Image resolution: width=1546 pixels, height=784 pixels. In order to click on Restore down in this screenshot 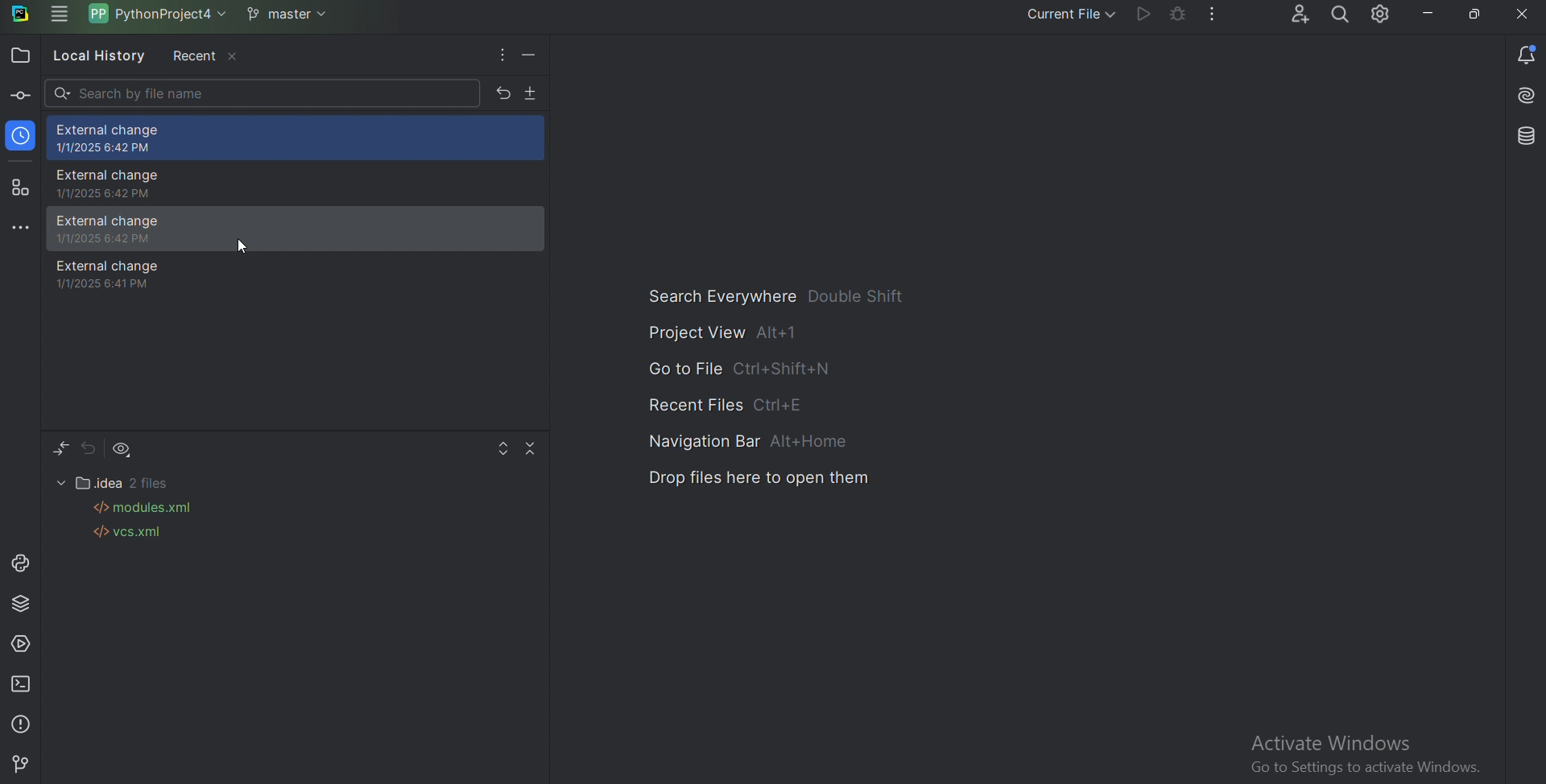, I will do `click(1476, 15)`.